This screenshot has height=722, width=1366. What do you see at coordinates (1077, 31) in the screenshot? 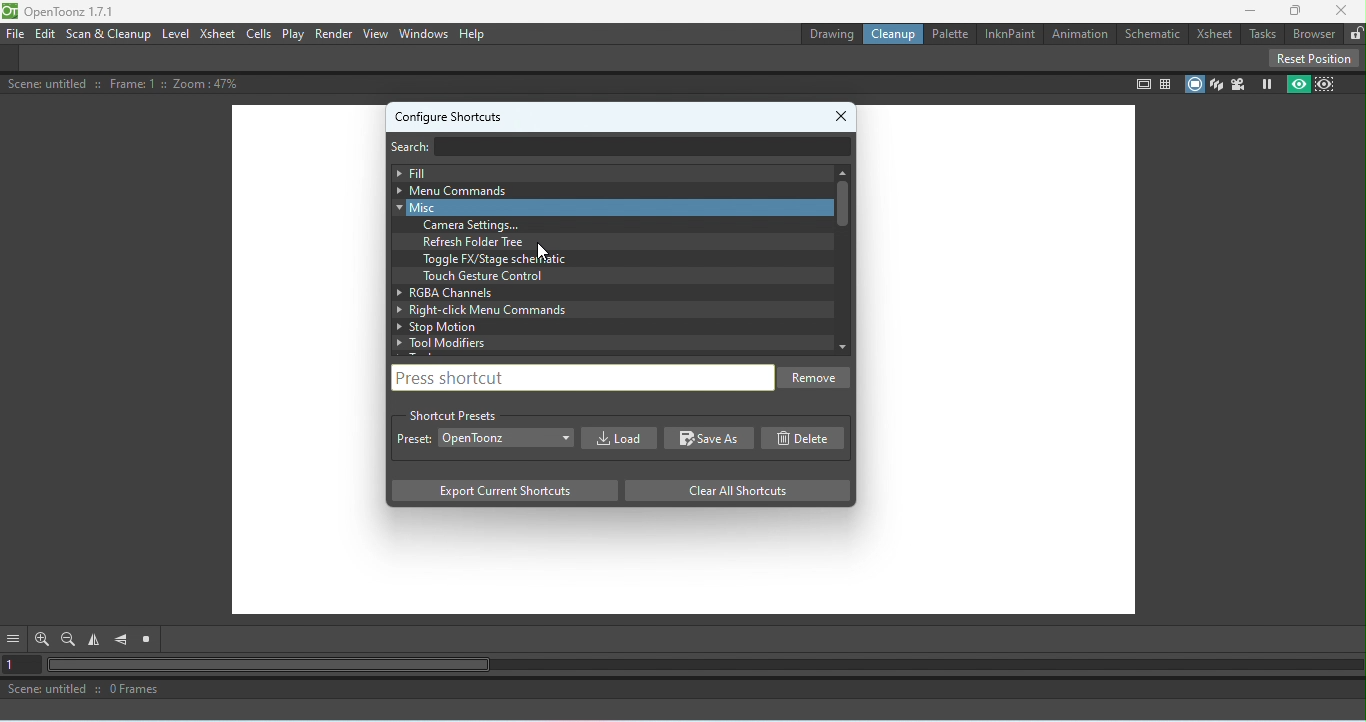
I see `Animation` at bounding box center [1077, 31].